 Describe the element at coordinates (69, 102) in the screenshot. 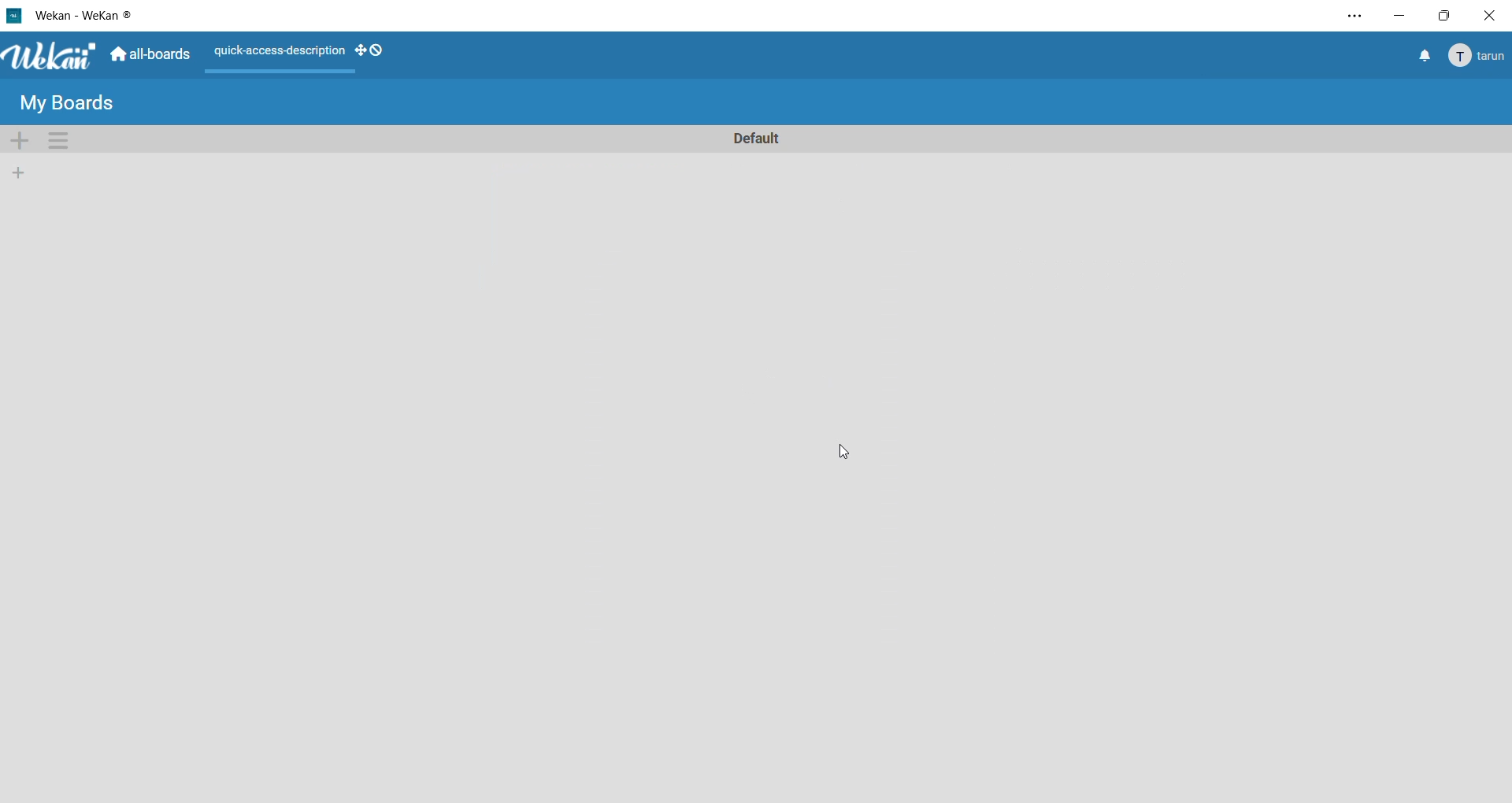

I see `my boards` at that location.